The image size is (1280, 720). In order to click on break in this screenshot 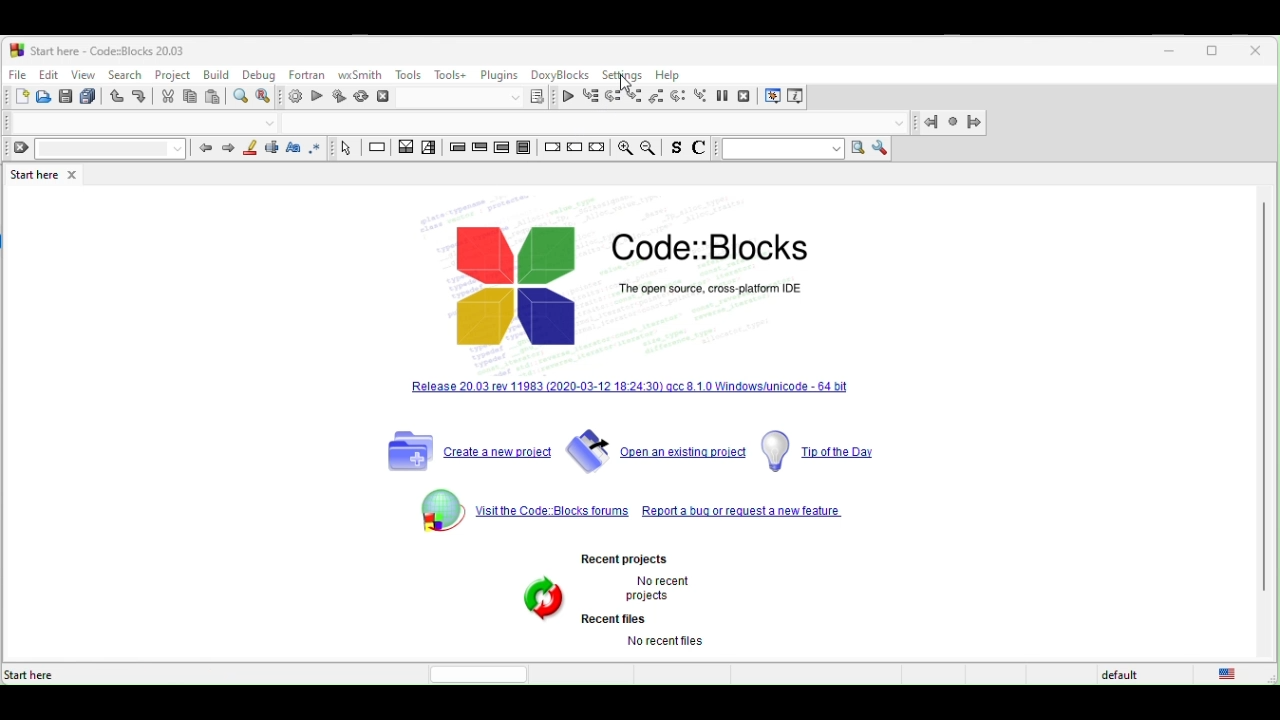, I will do `click(553, 148)`.